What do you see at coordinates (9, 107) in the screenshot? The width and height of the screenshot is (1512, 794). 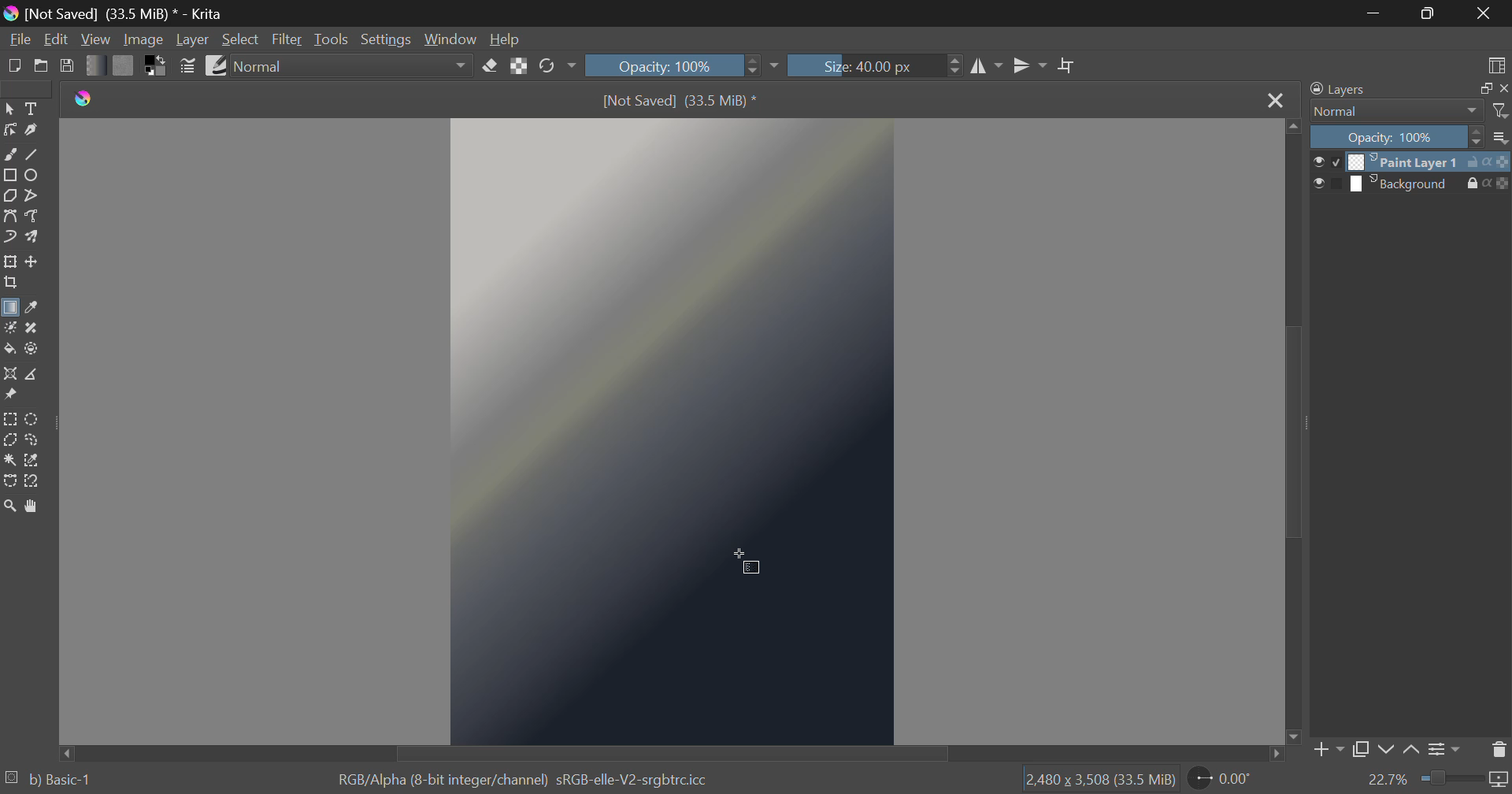 I see `Select` at bounding box center [9, 107].